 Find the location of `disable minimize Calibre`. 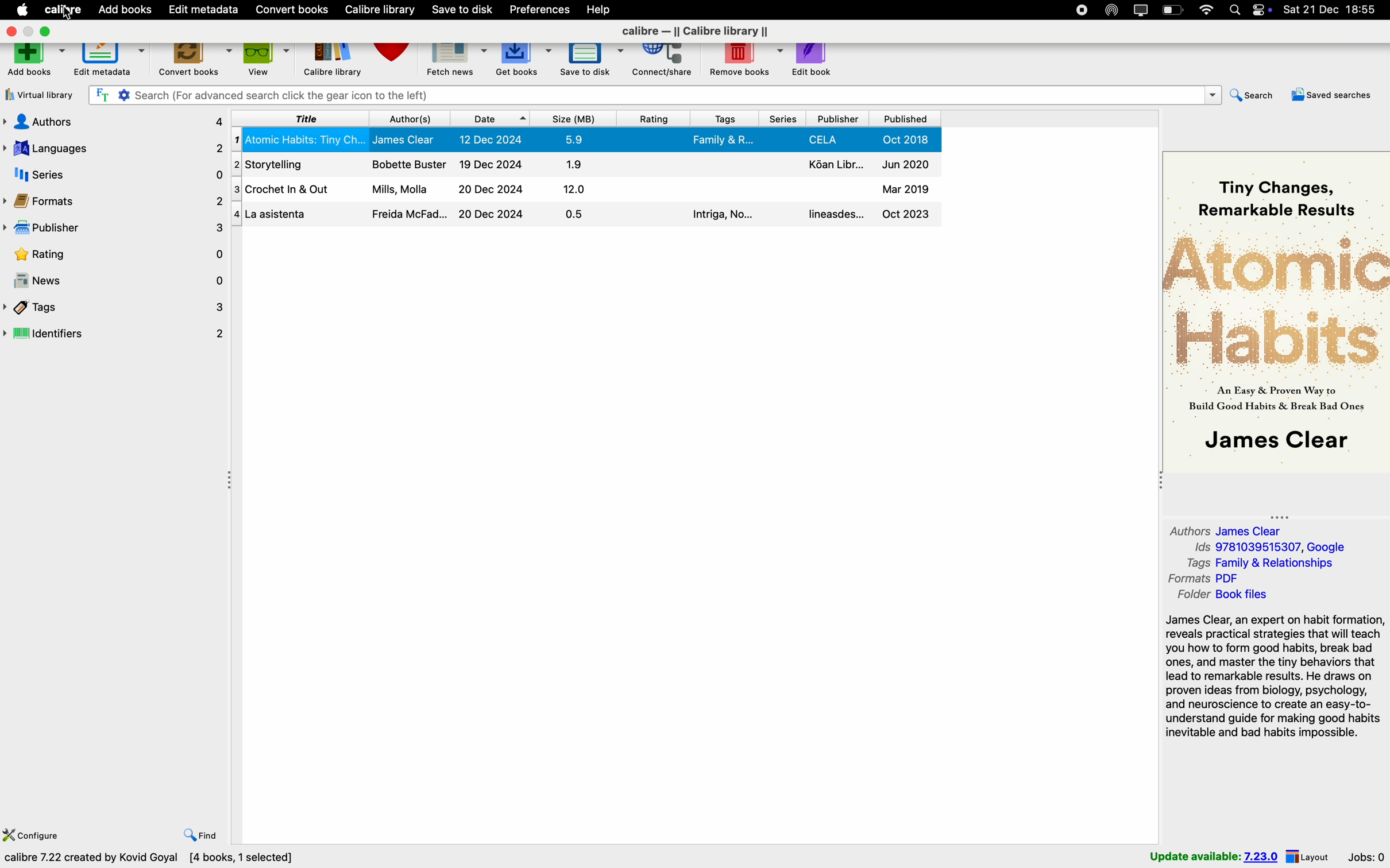

disable minimize Calibre is located at coordinates (28, 32).